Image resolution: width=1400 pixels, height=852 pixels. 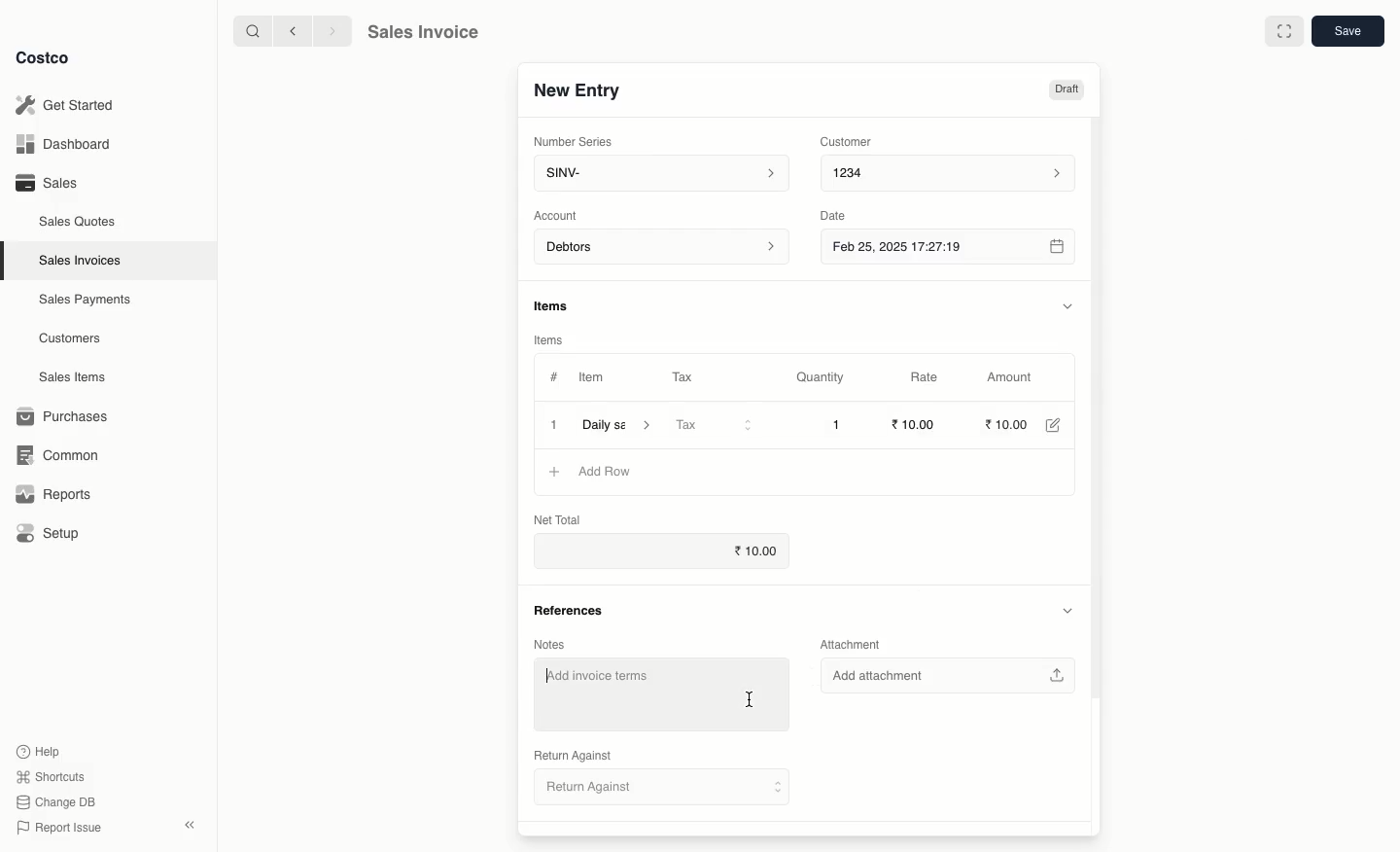 What do you see at coordinates (69, 378) in the screenshot?
I see `Sales Items.` at bounding box center [69, 378].